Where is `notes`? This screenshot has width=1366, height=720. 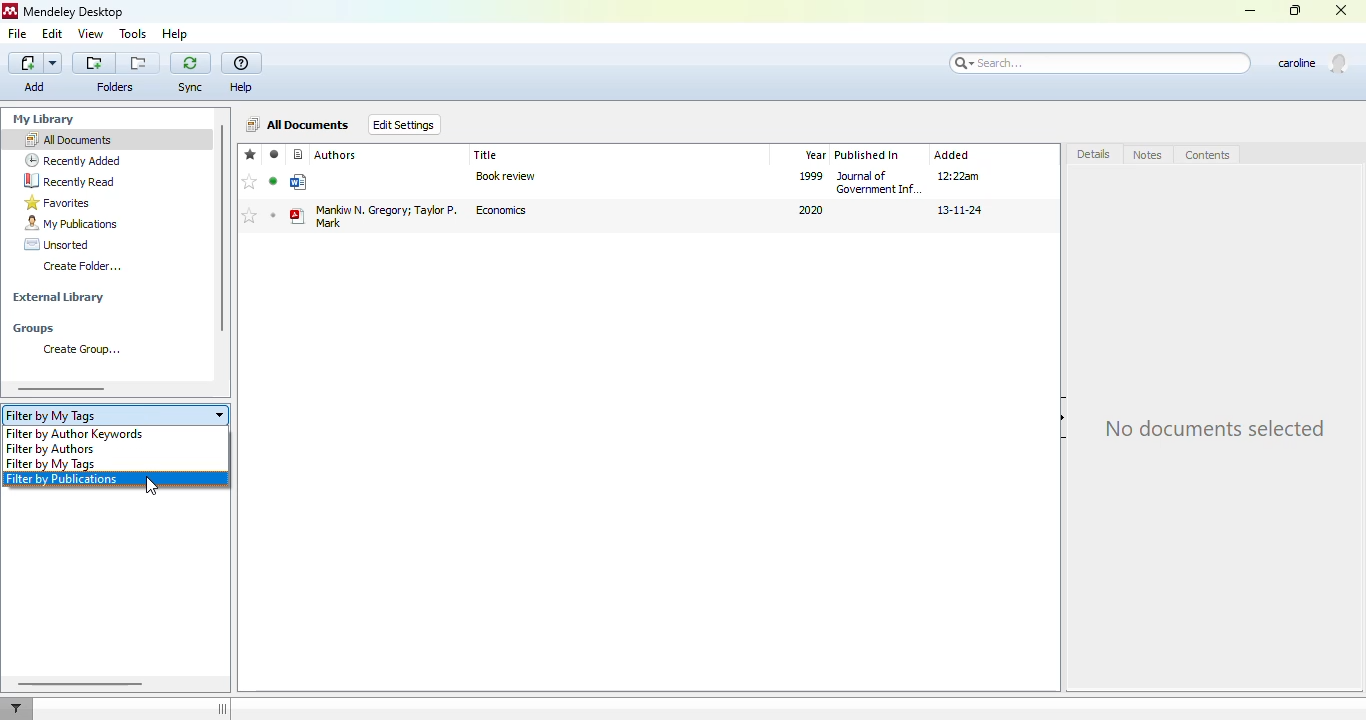 notes is located at coordinates (1147, 155).